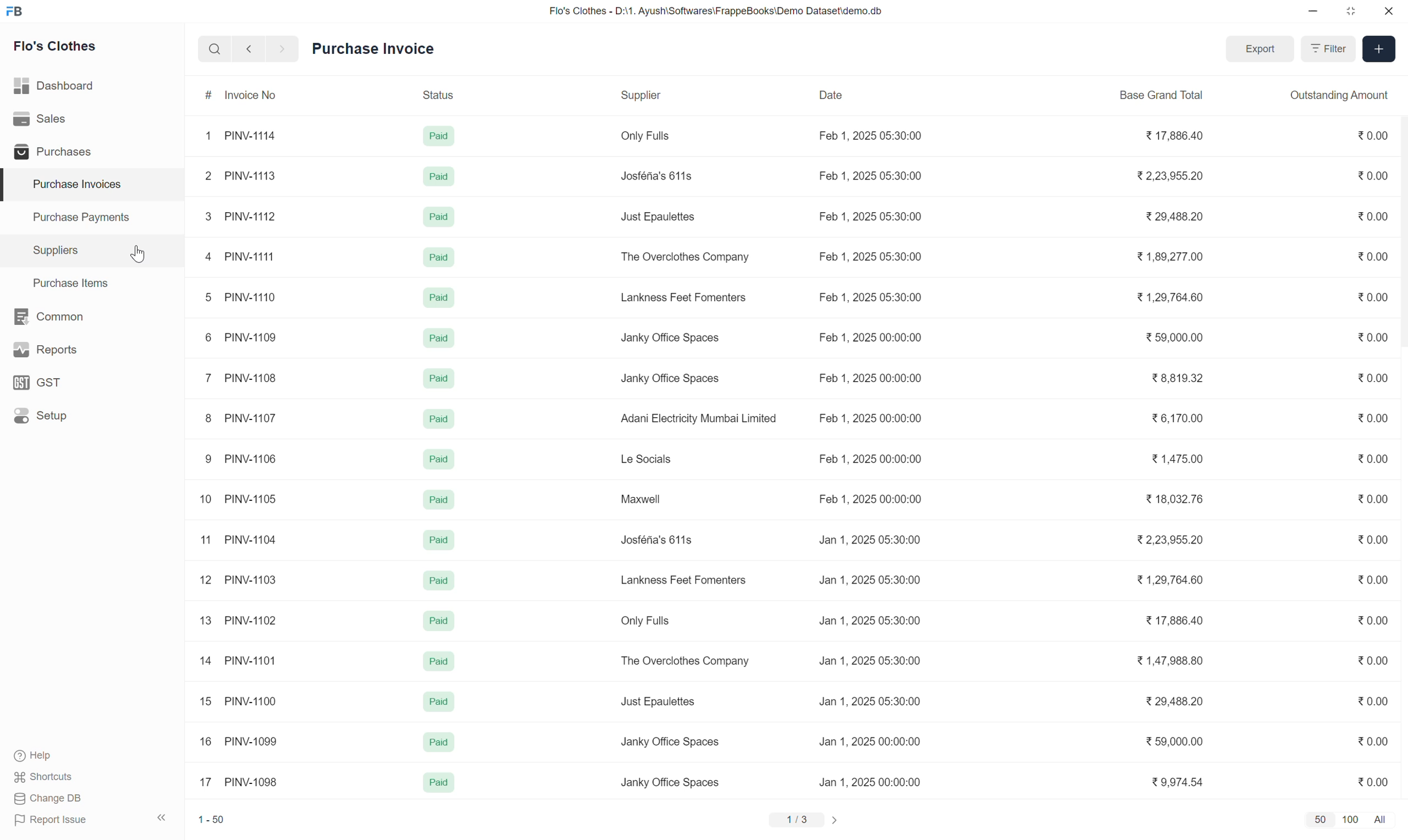 The width and height of the screenshot is (1408, 840). I want to click on minimize, so click(1314, 12).